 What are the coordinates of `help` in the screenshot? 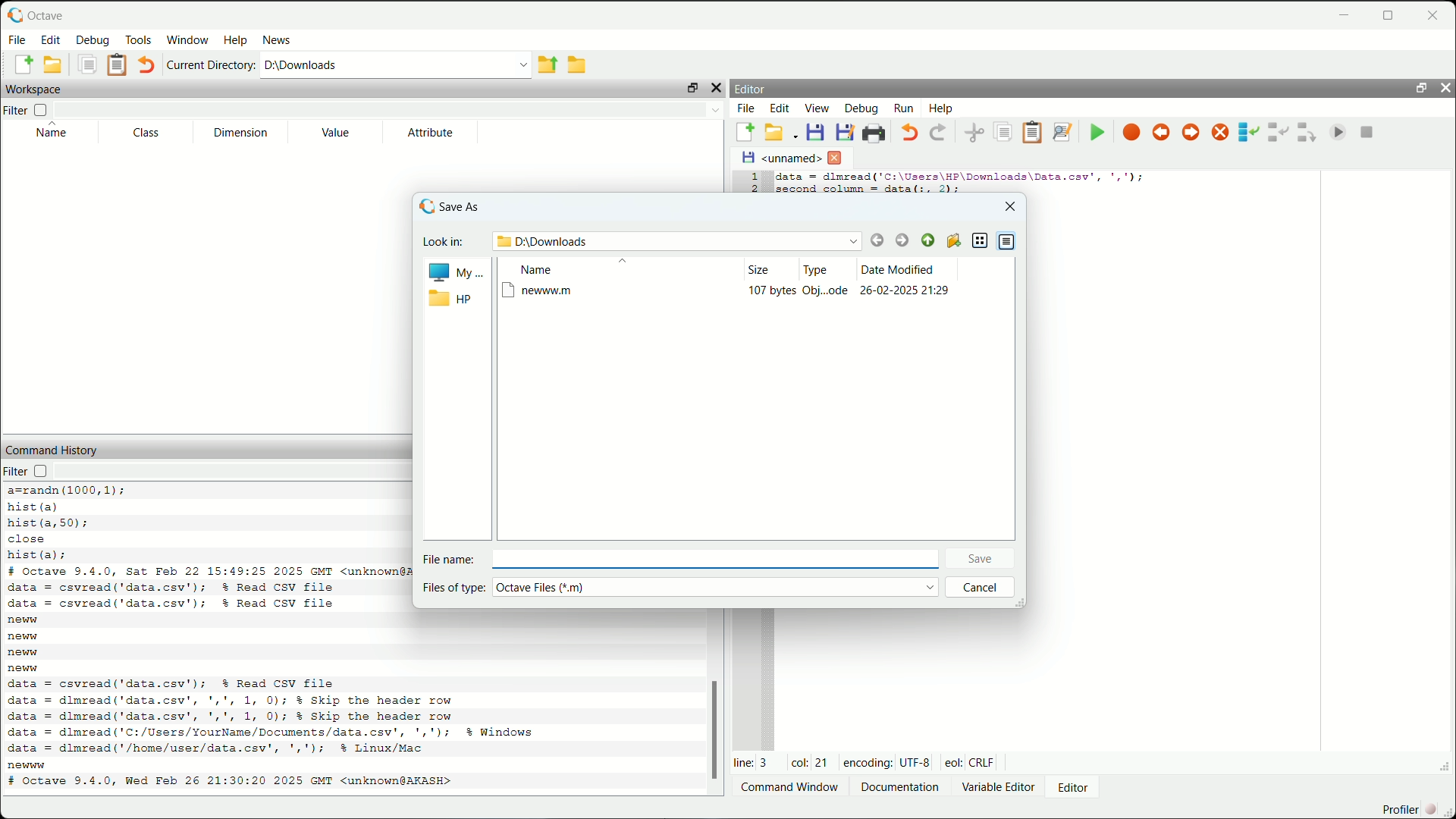 It's located at (236, 40).